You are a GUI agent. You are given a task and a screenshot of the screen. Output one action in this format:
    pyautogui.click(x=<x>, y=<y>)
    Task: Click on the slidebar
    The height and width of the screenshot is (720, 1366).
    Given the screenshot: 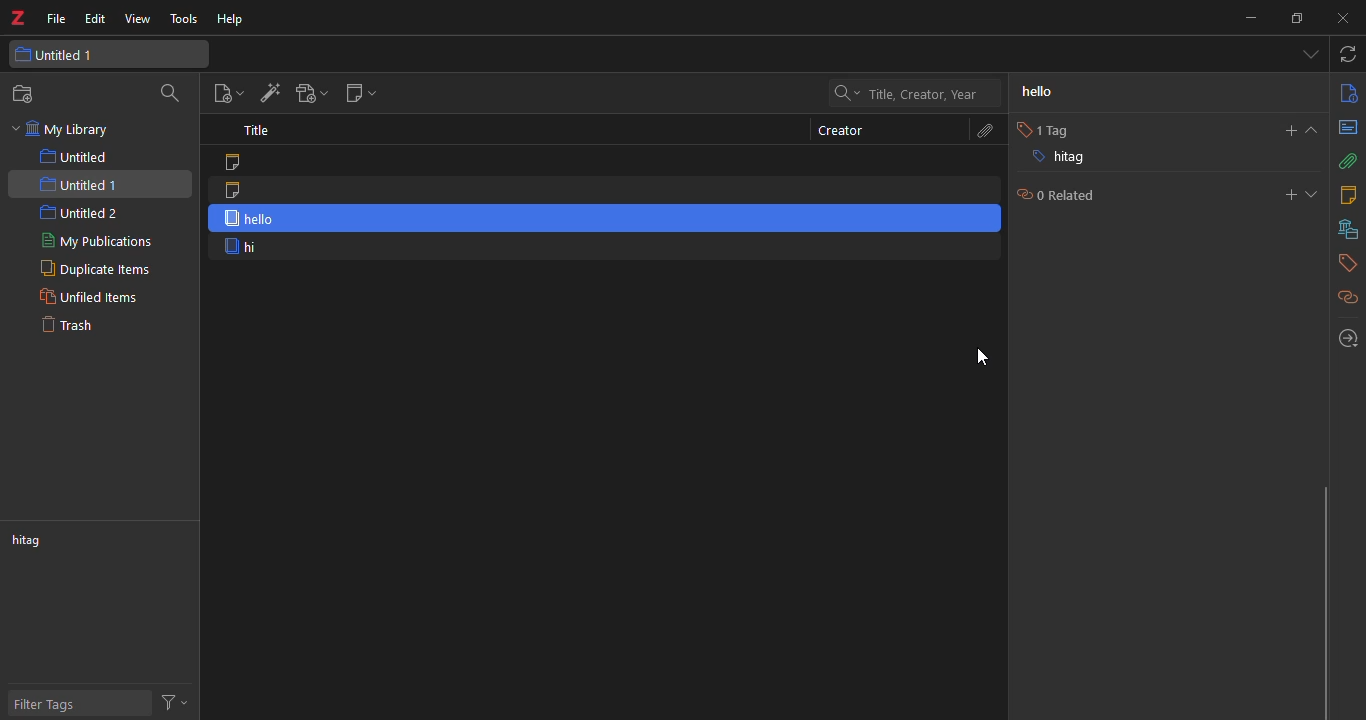 What is the action you would take?
    pyautogui.click(x=1322, y=600)
    